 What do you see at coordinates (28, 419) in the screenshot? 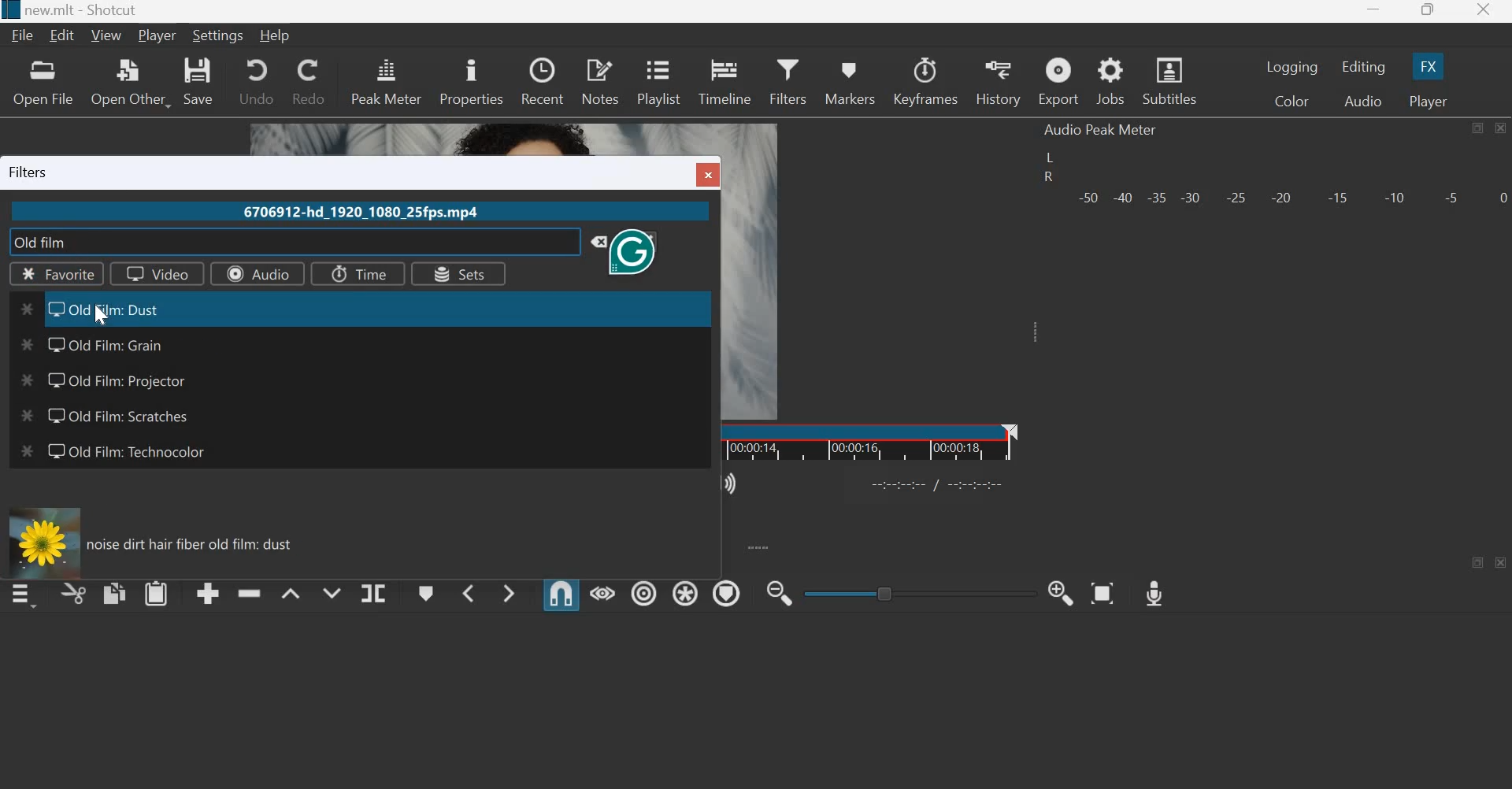
I see `` at bounding box center [28, 419].